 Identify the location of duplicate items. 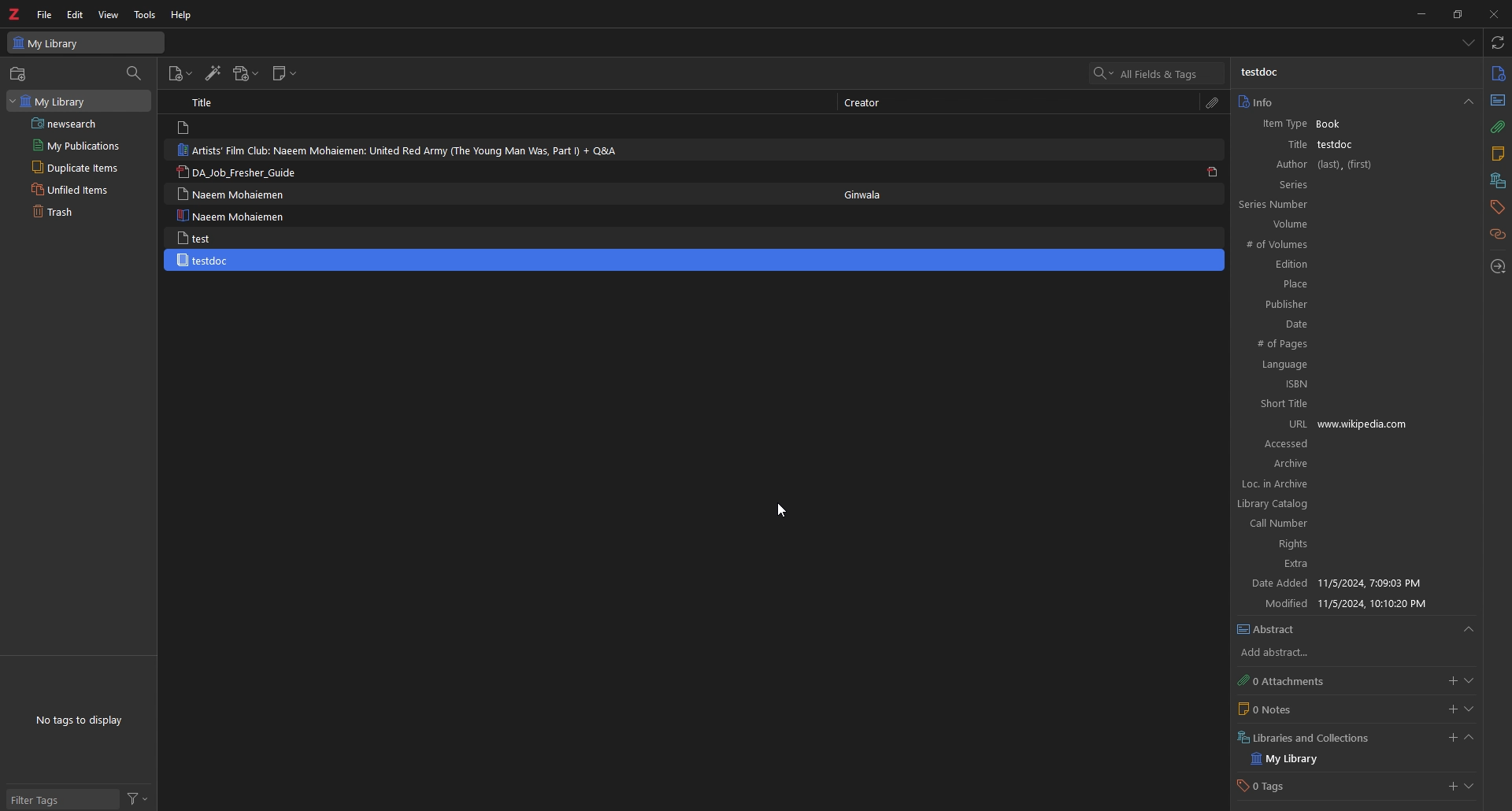
(76, 167).